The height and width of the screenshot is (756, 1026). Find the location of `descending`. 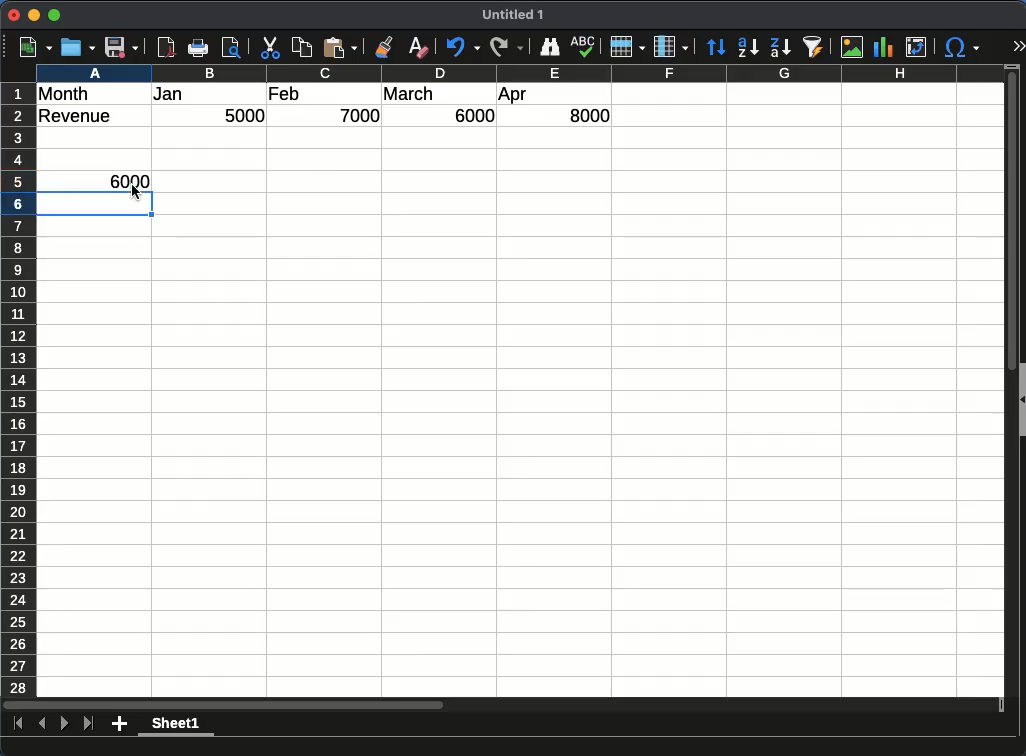

descending is located at coordinates (782, 47).